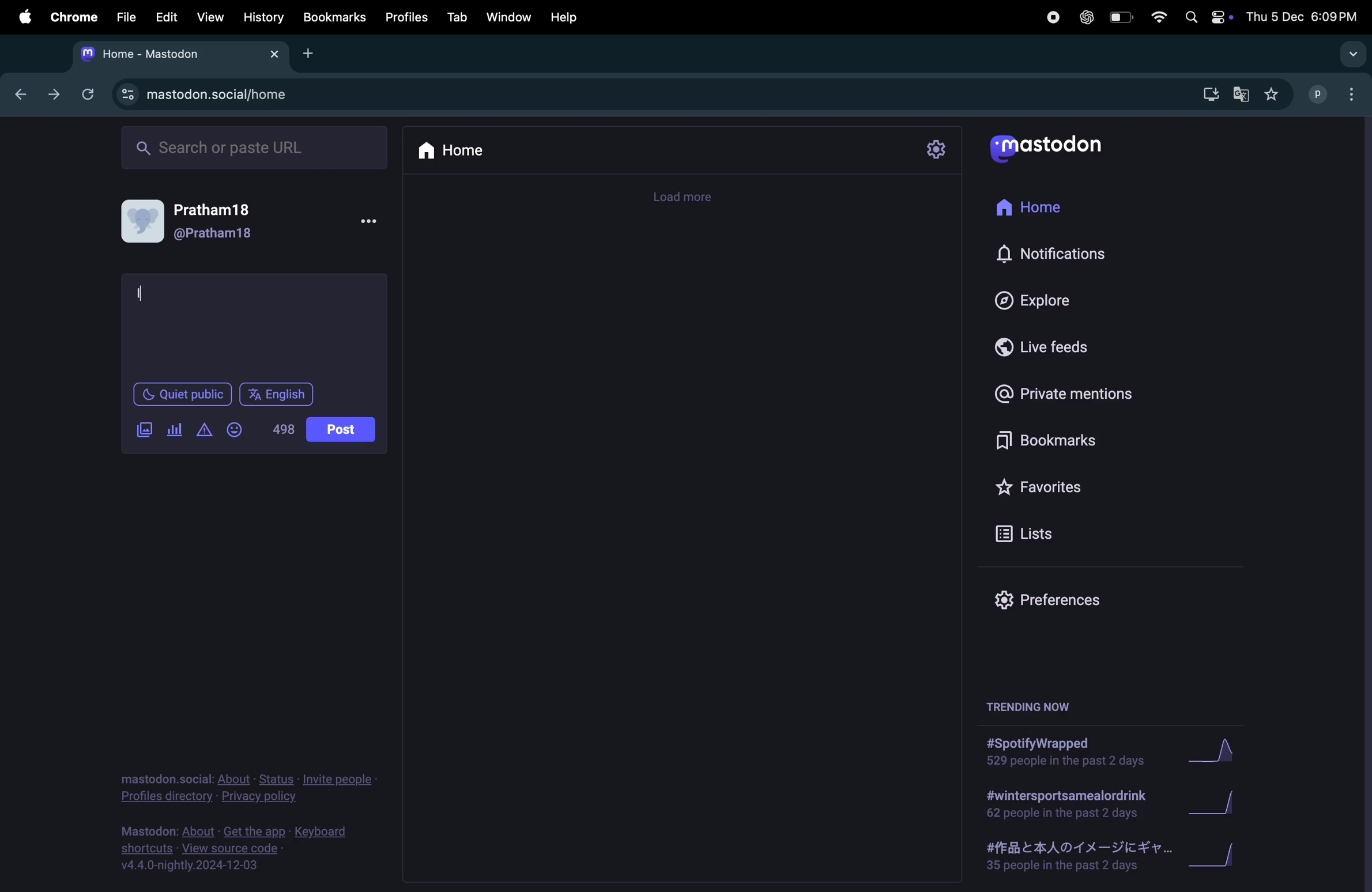 This screenshot has height=892, width=1372. I want to click on edit, so click(168, 18).